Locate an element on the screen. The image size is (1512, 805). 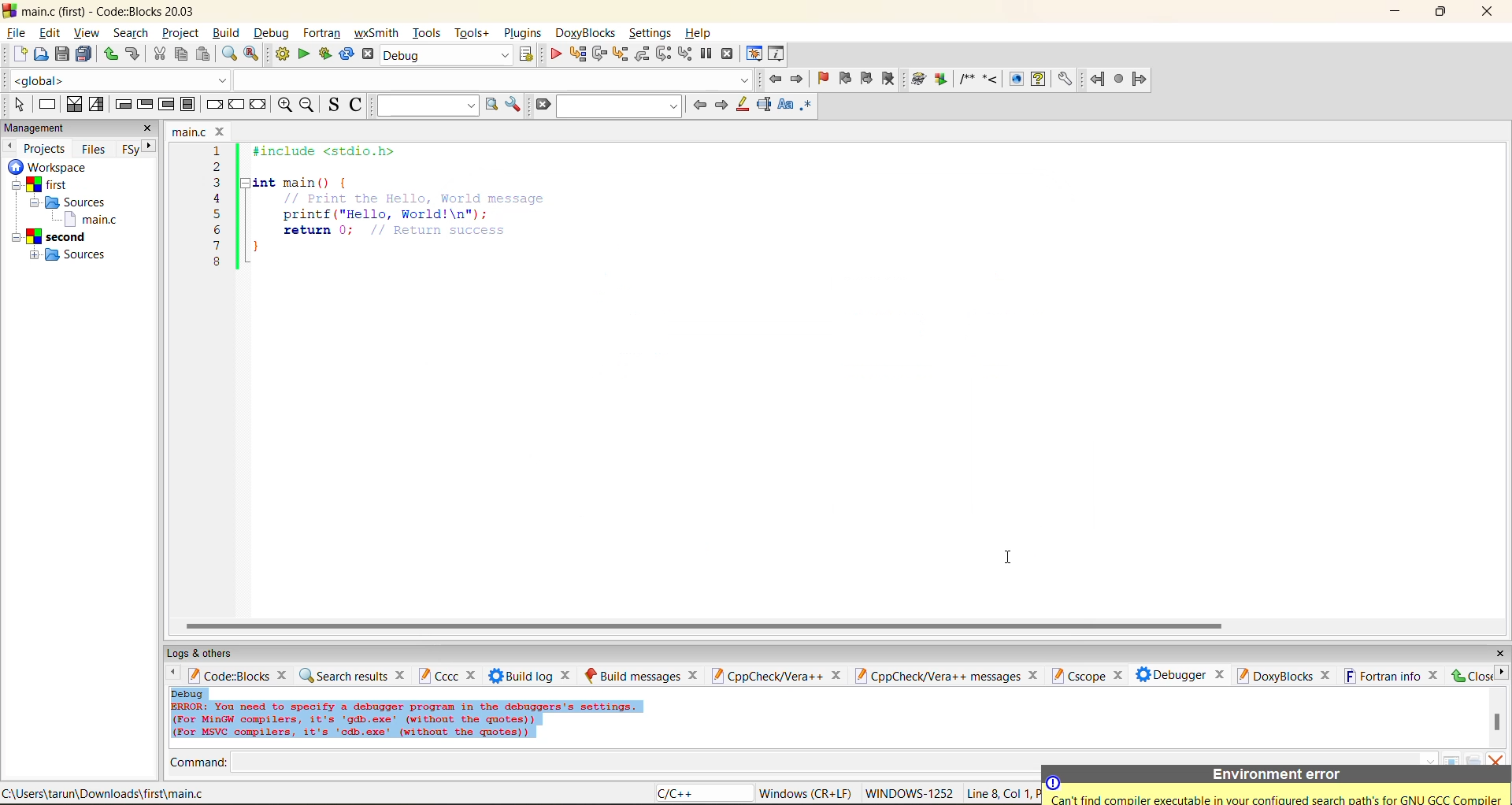
tools+ is located at coordinates (472, 33).